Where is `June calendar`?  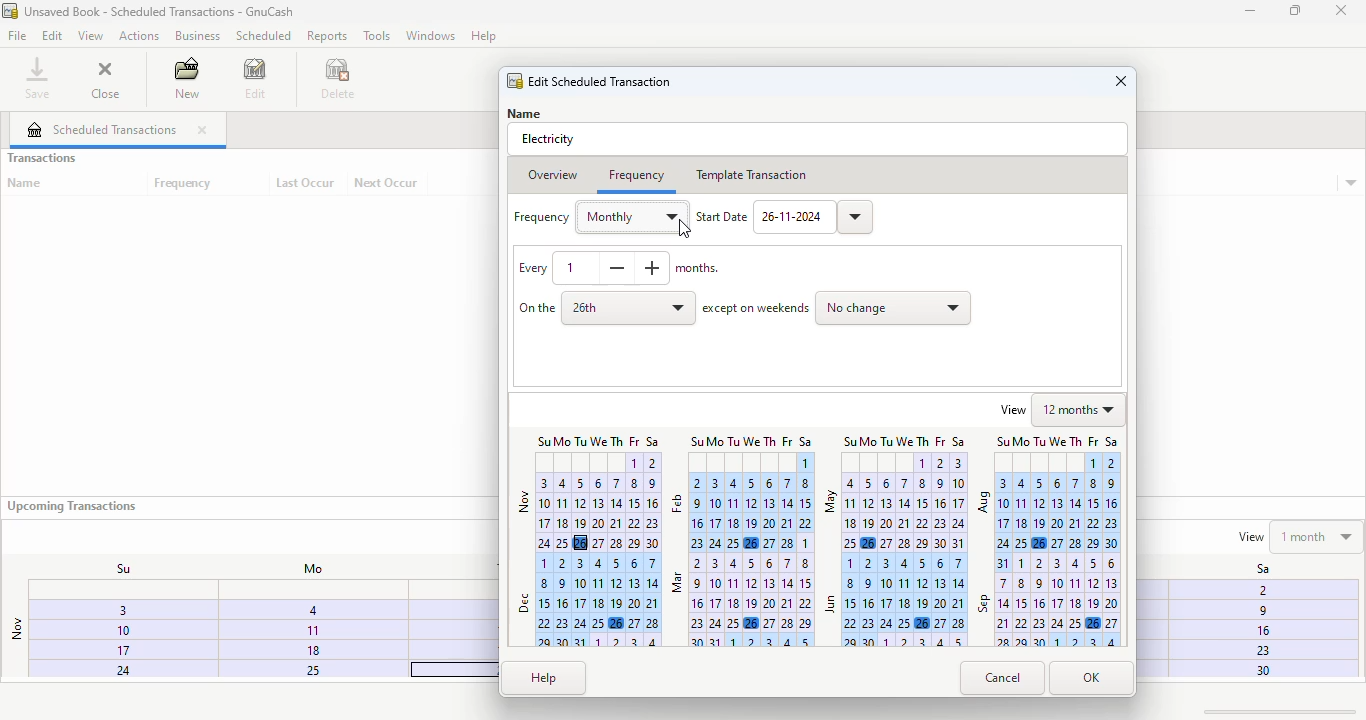 June calendar is located at coordinates (896, 600).